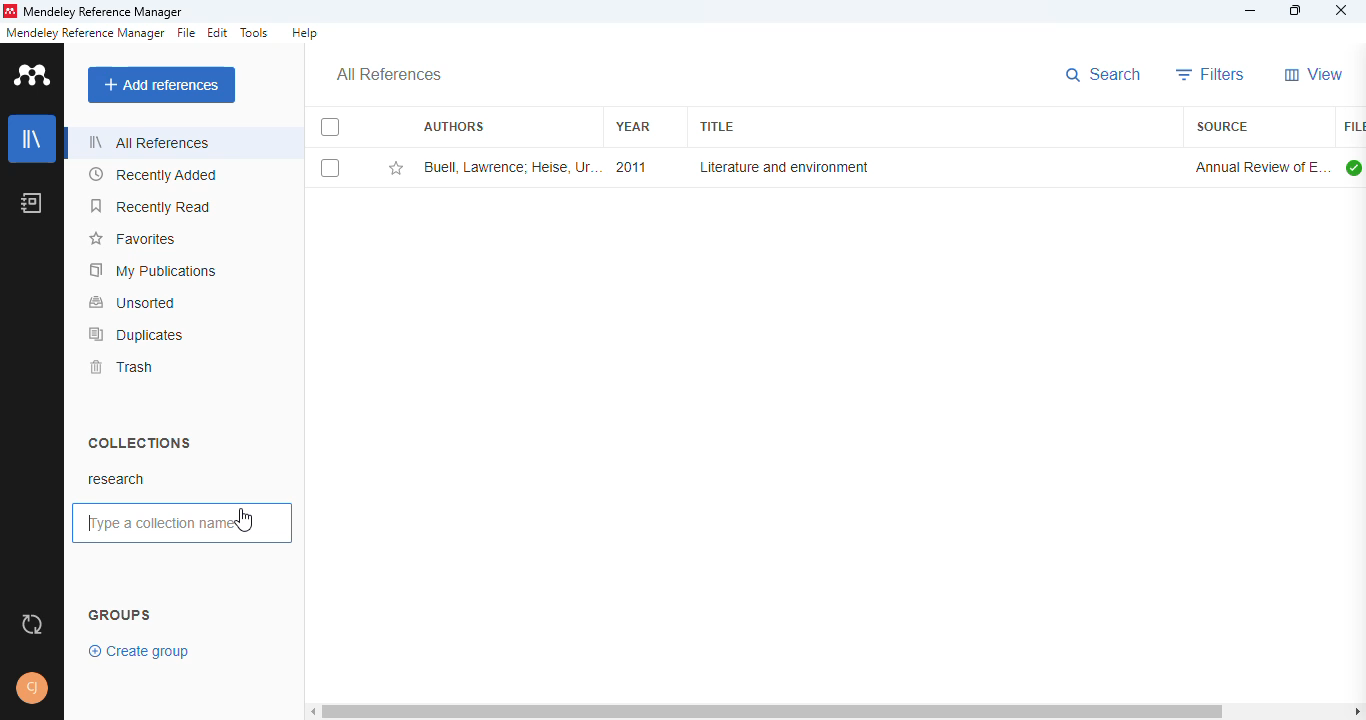 The image size is (1366, 720). What do you see at coordinates (388, 75) in the screenshot?
I see `all references` at bounding box center [388, 75].